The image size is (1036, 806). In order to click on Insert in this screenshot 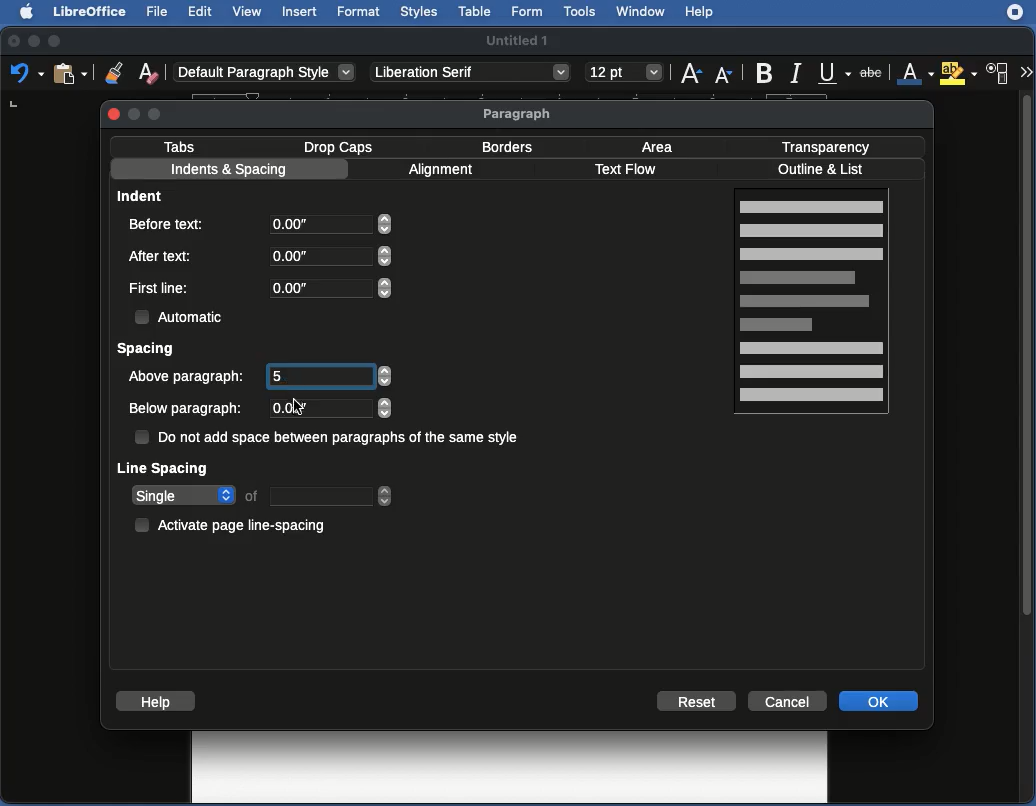, I will do `click(299, 11)`.